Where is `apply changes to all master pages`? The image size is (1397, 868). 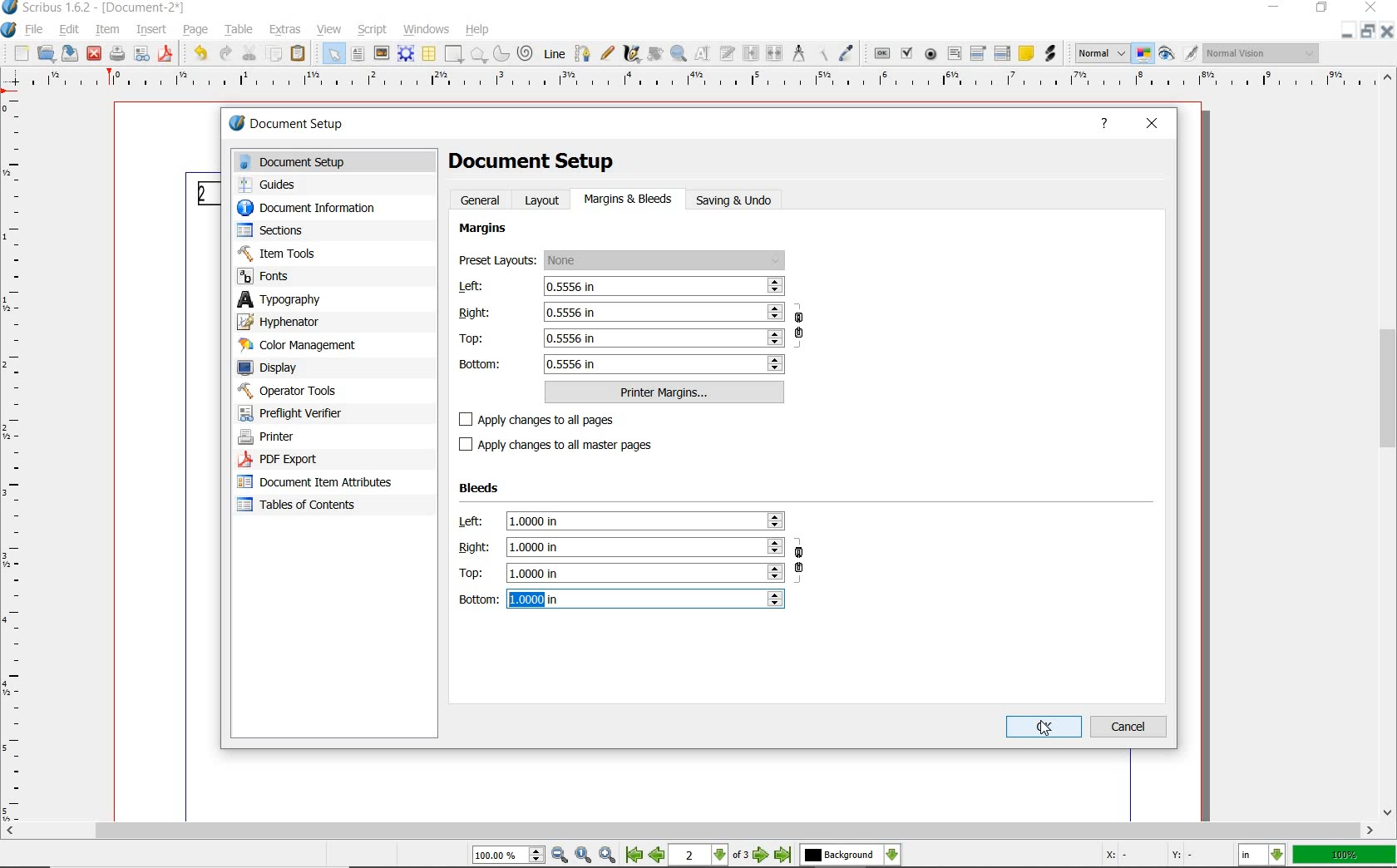 apply changes to all master pages is located at coordinates (565, 445).